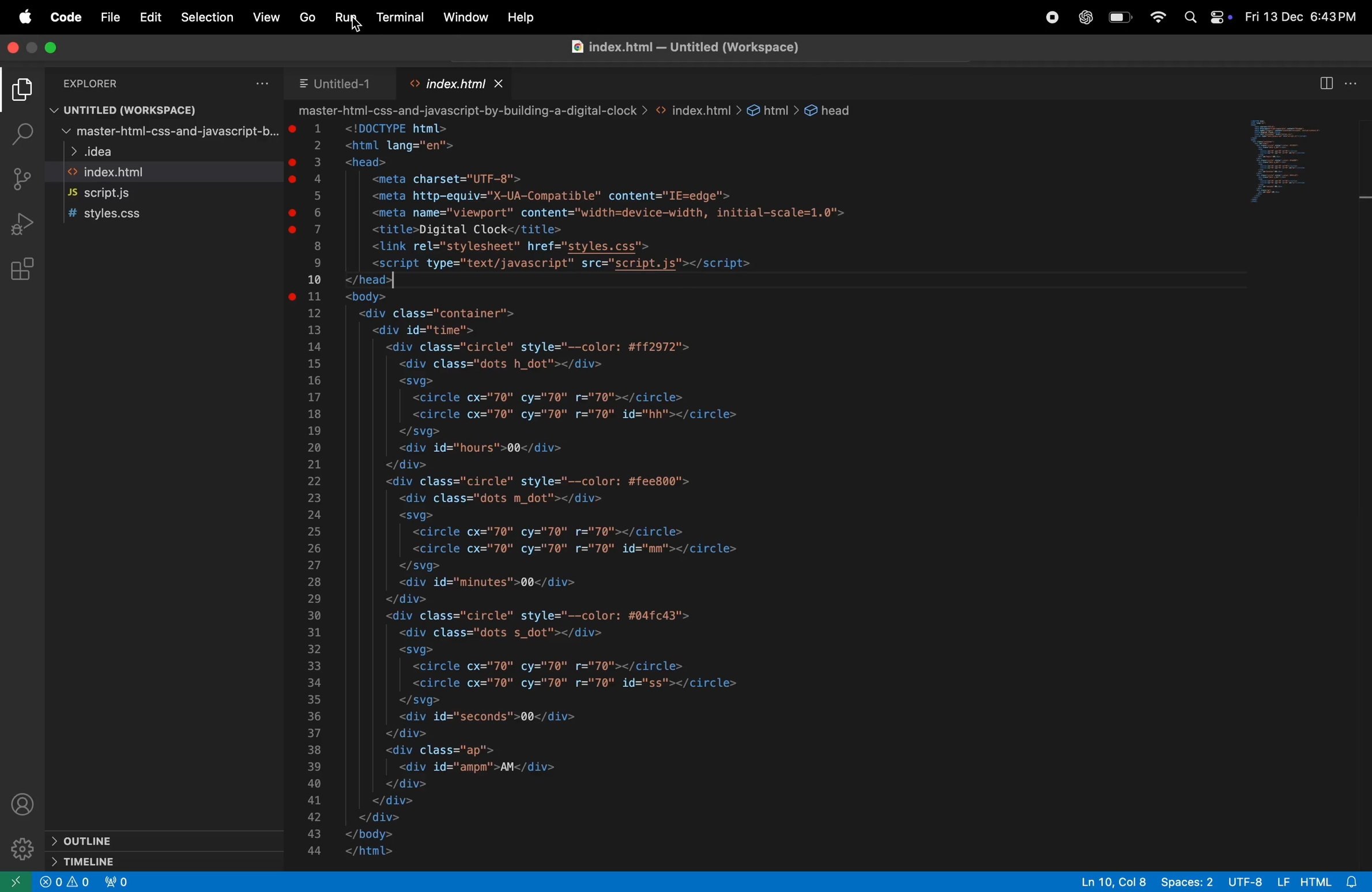 The width and height of the screenshot is (1372, 892). What do you see at coordinates (309, 18) in the screenshot?
I see `Go` at bounding box center [309, 18].